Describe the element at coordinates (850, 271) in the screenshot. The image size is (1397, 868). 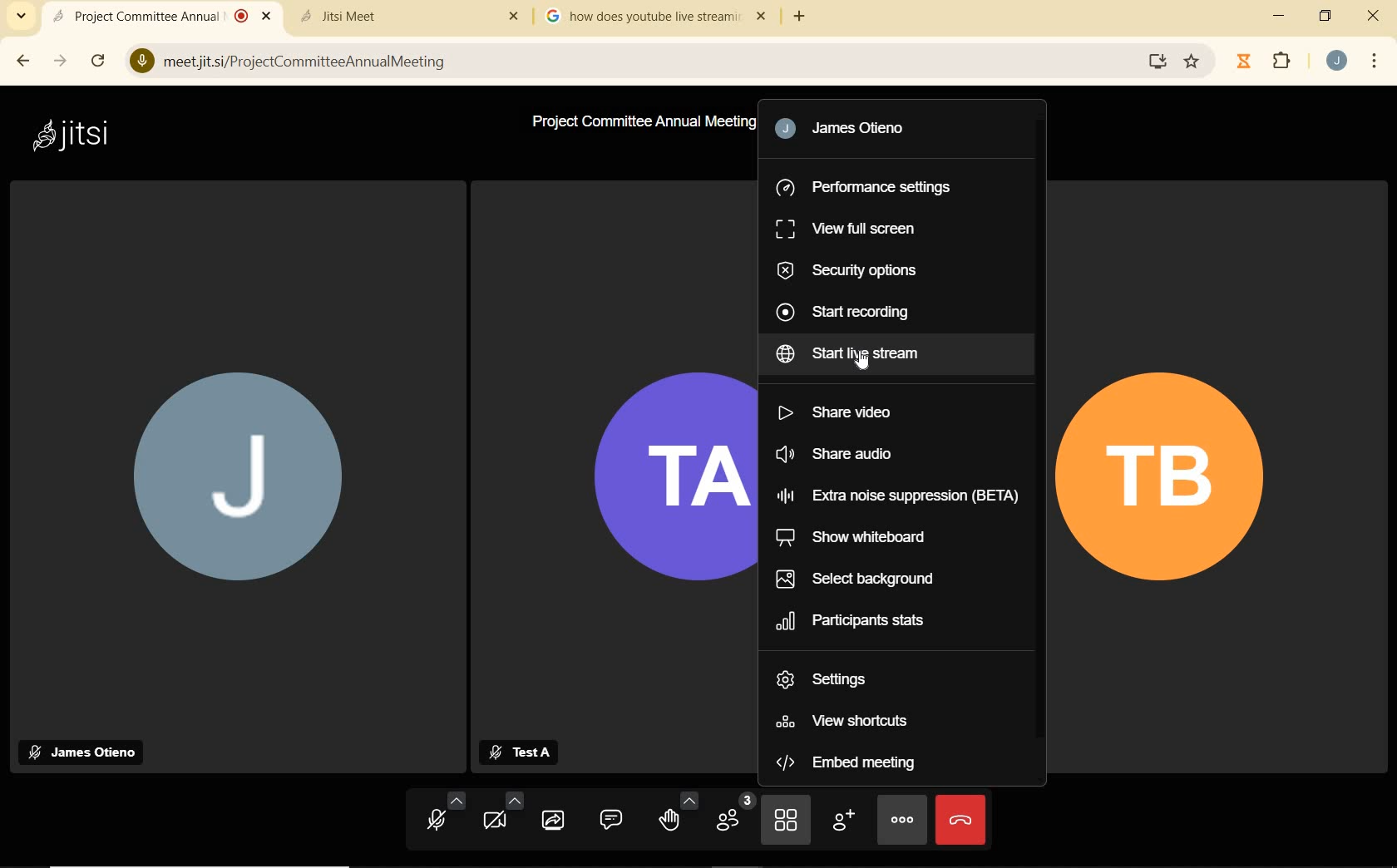
I see `security options` at that location.